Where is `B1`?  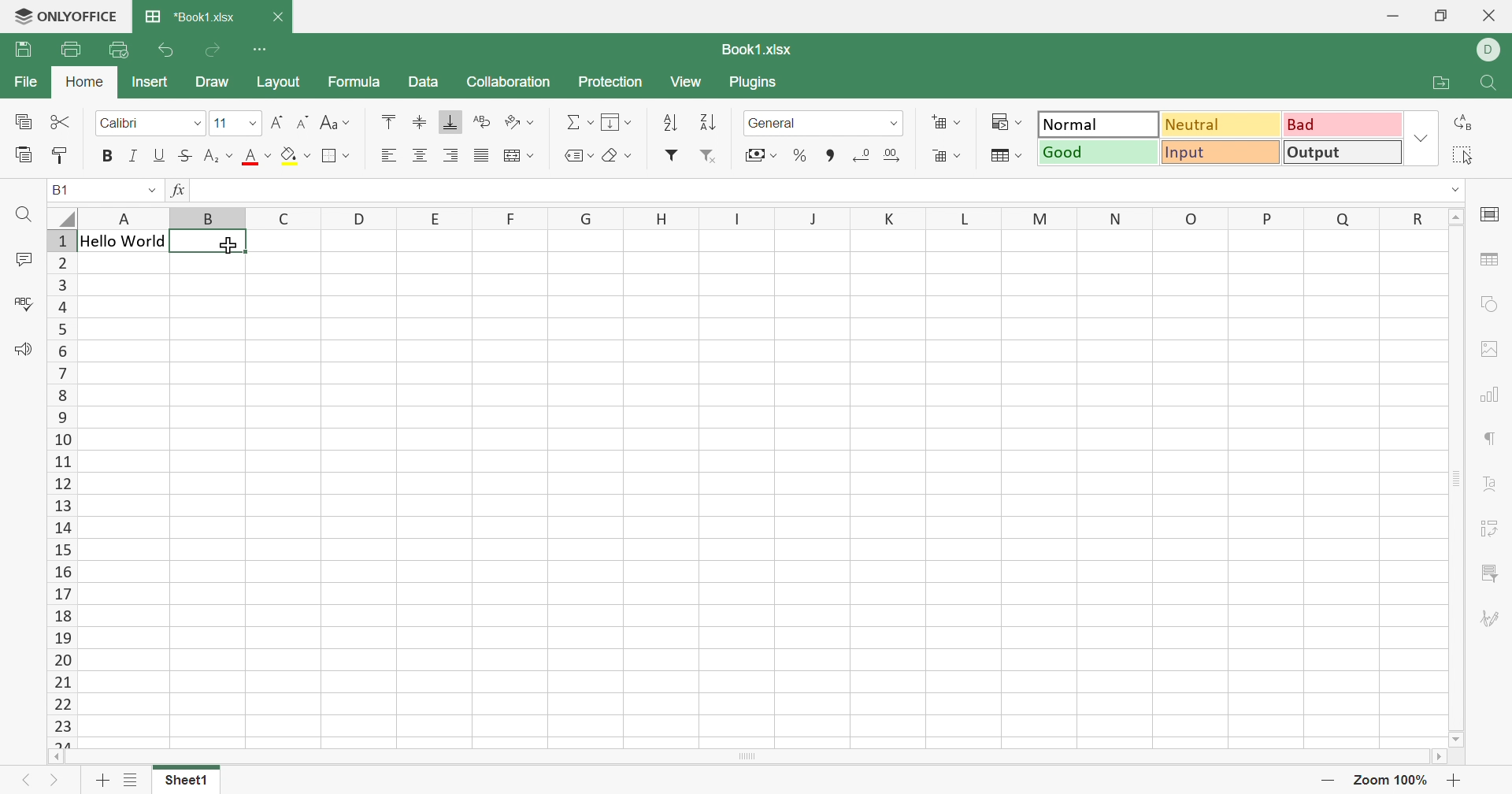
B1 is located at coordinates (62, 188).